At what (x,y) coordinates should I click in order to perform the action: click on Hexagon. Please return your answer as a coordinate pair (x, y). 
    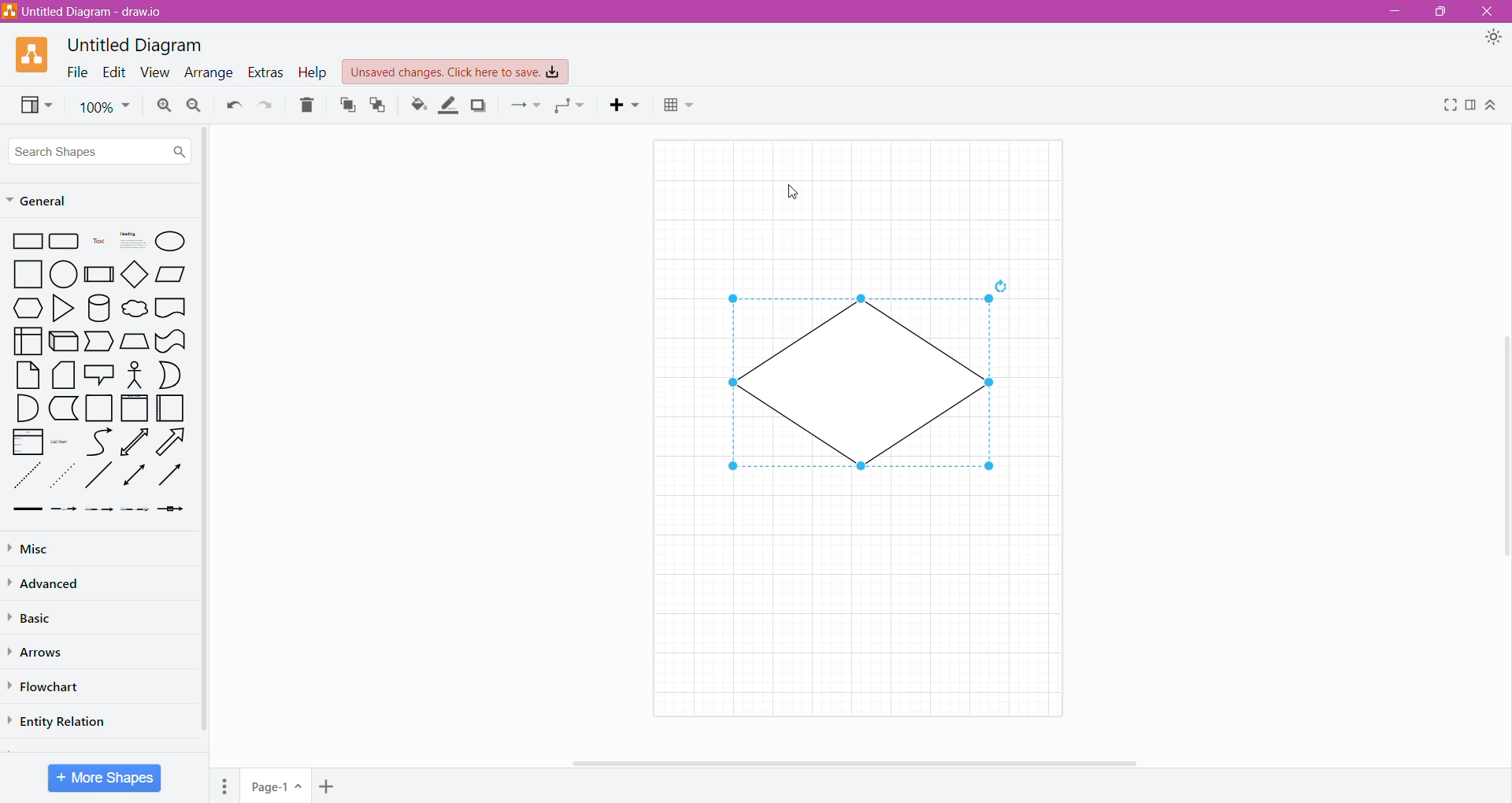
    Looking at the image, I should click on (28, 308).